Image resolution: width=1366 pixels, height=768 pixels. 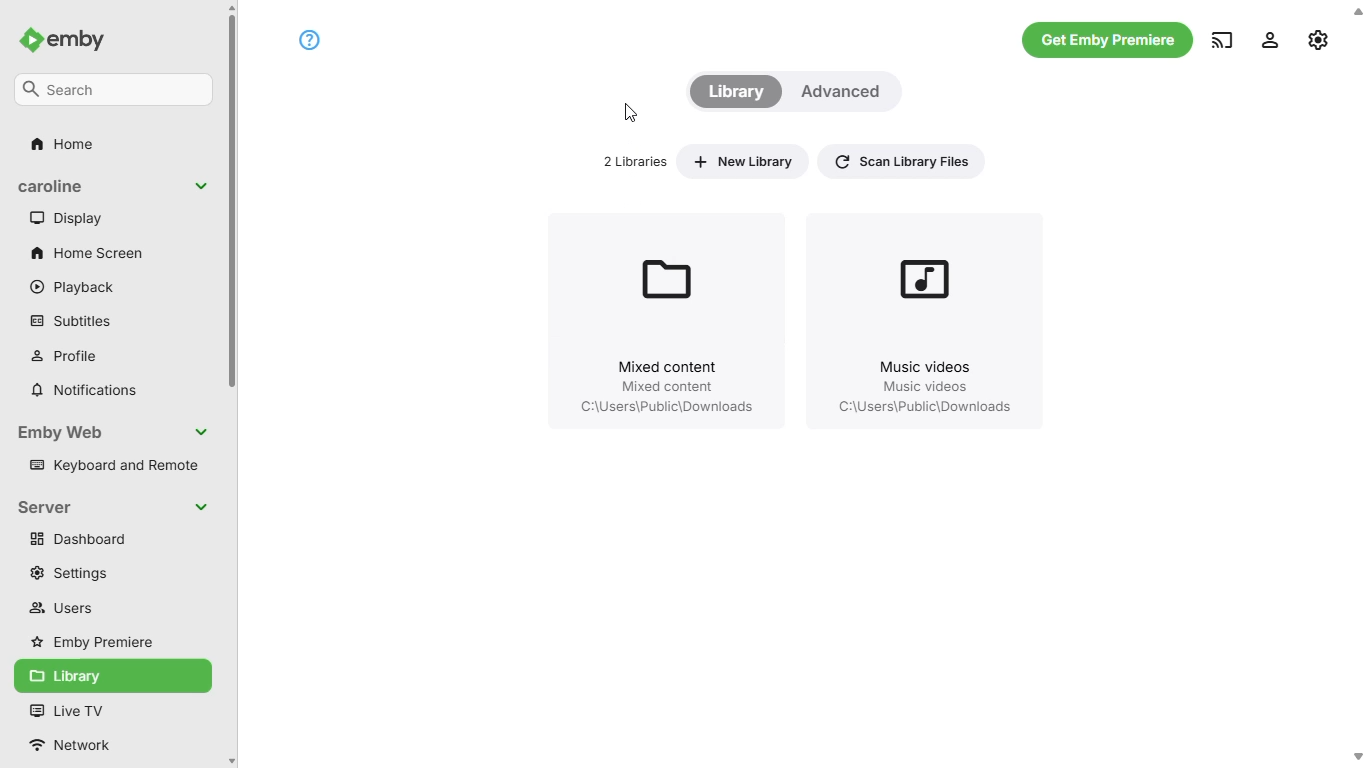 What do you see at coordinates (80, 744) in the screenshot?
I see `network` at bounding box center [80, 744].